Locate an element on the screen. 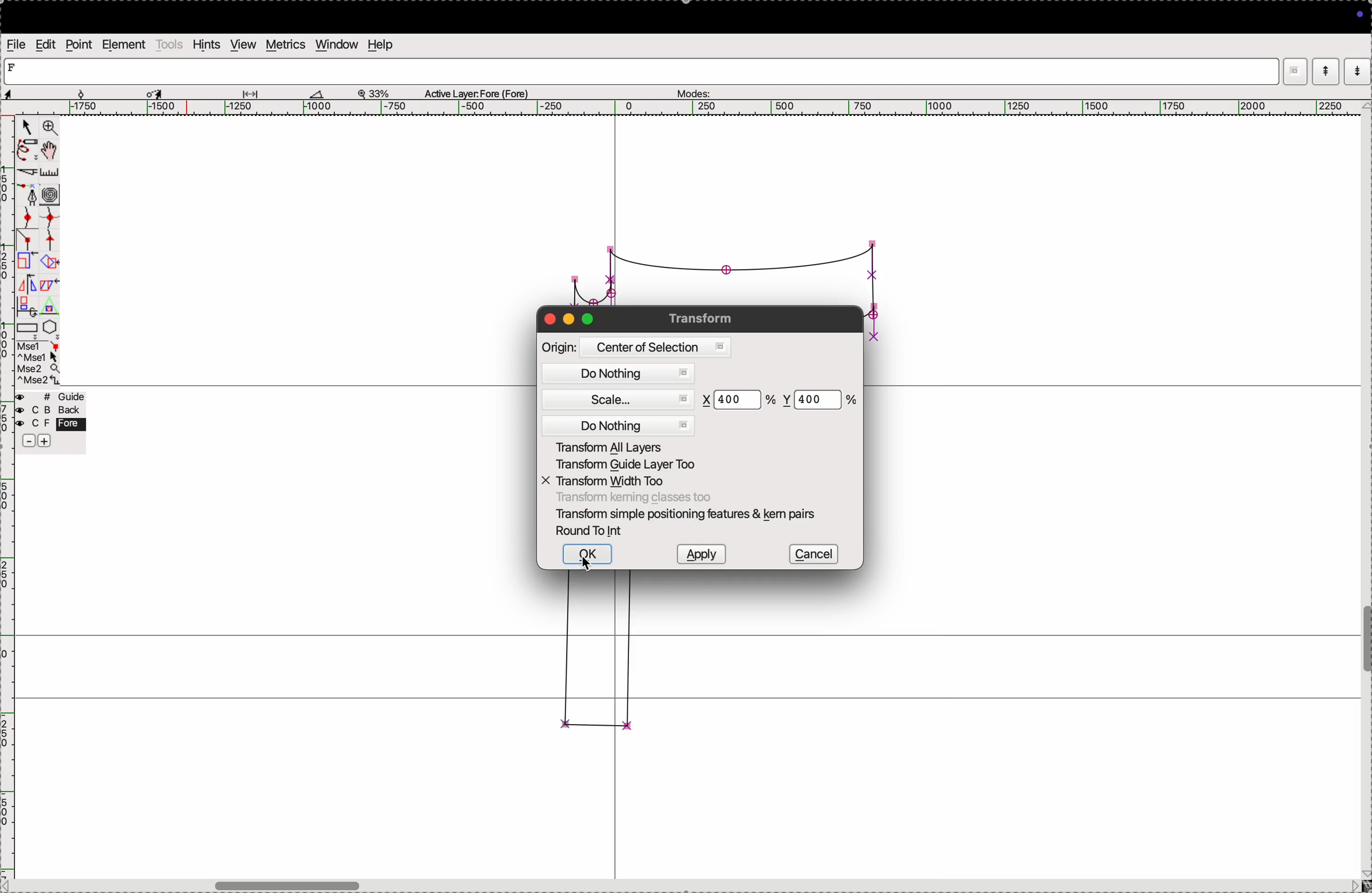 This screenshot has height=893, width=1372. sbubtract is located at coordinates (24, 442).